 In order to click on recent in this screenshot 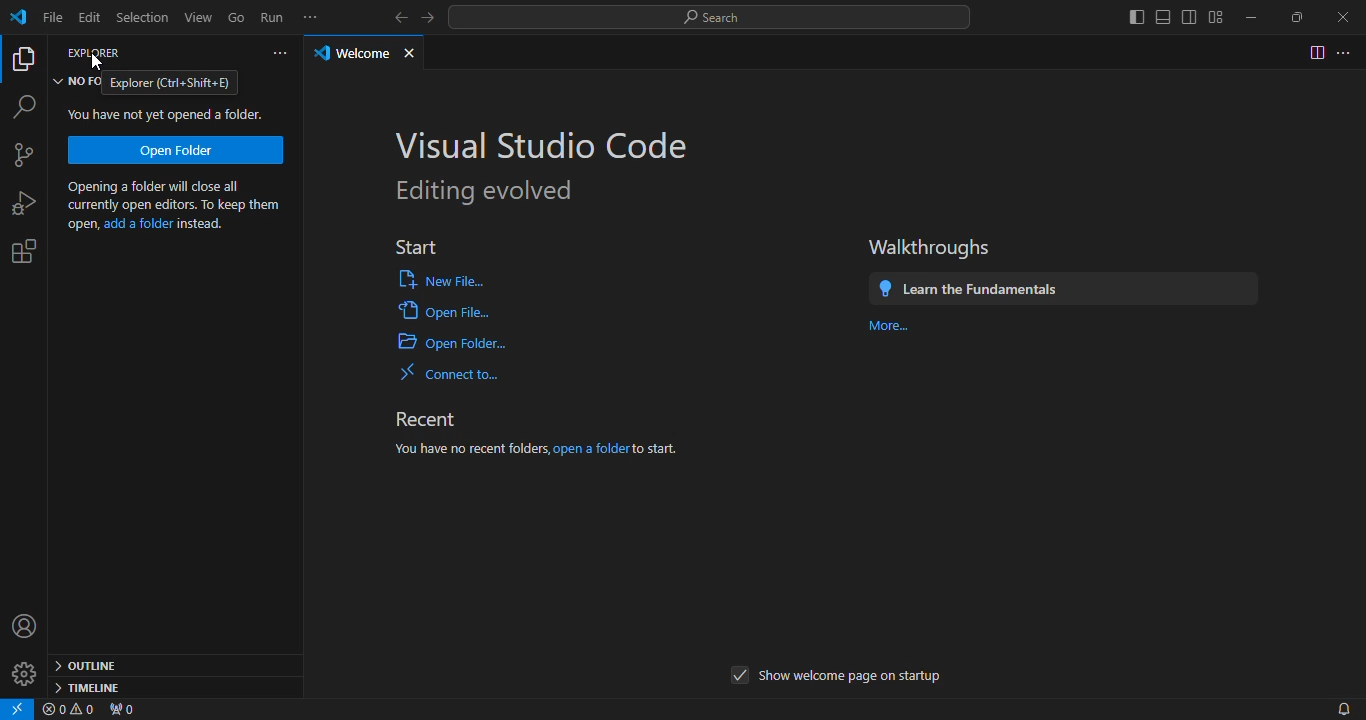, I will do `click(433, 415)`.